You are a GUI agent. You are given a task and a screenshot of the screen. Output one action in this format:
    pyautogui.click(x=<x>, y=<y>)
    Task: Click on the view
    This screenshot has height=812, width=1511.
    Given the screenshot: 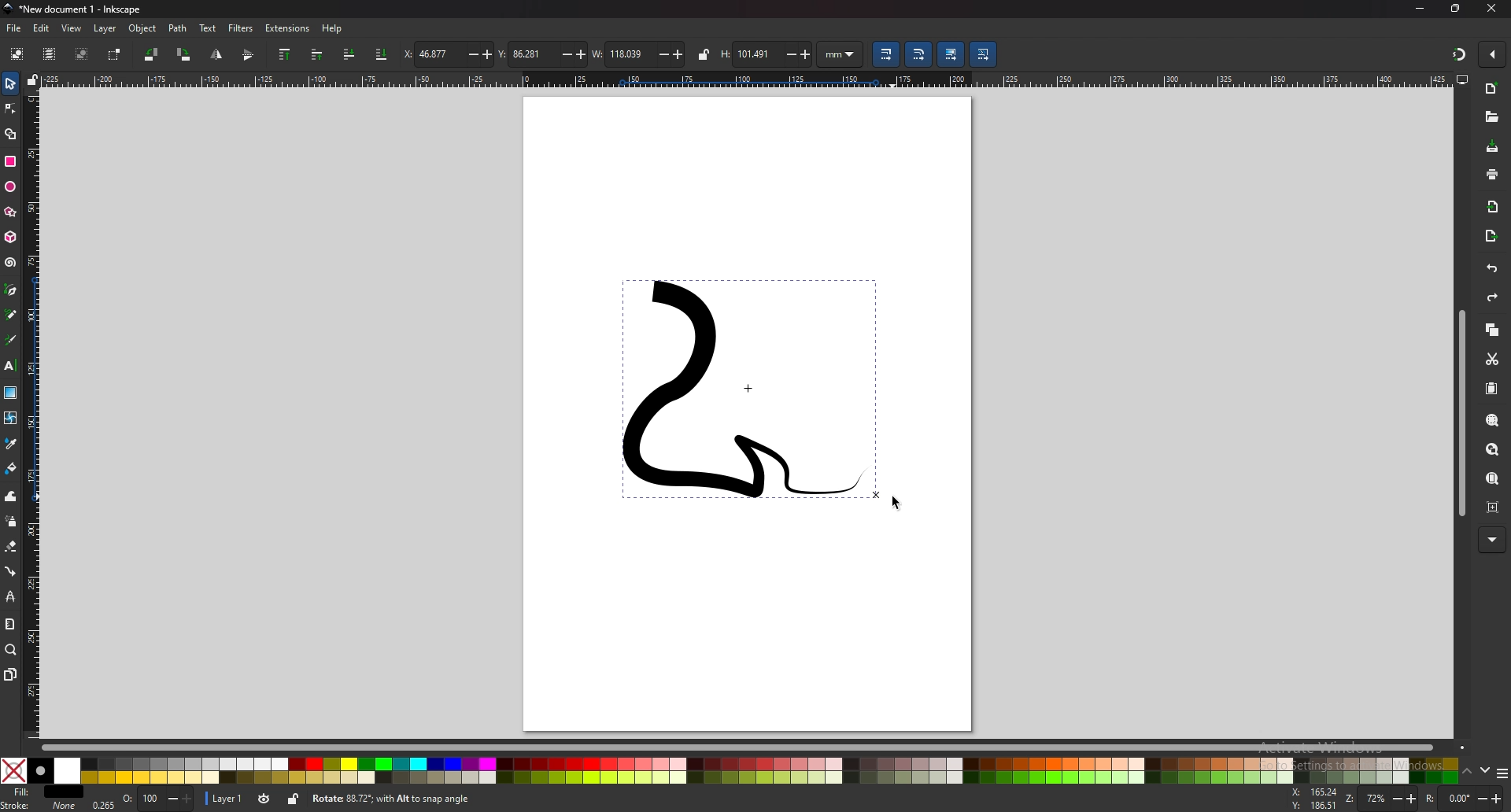 What is the action you would take?
    pyautogui.click(x=70, y=29)
    